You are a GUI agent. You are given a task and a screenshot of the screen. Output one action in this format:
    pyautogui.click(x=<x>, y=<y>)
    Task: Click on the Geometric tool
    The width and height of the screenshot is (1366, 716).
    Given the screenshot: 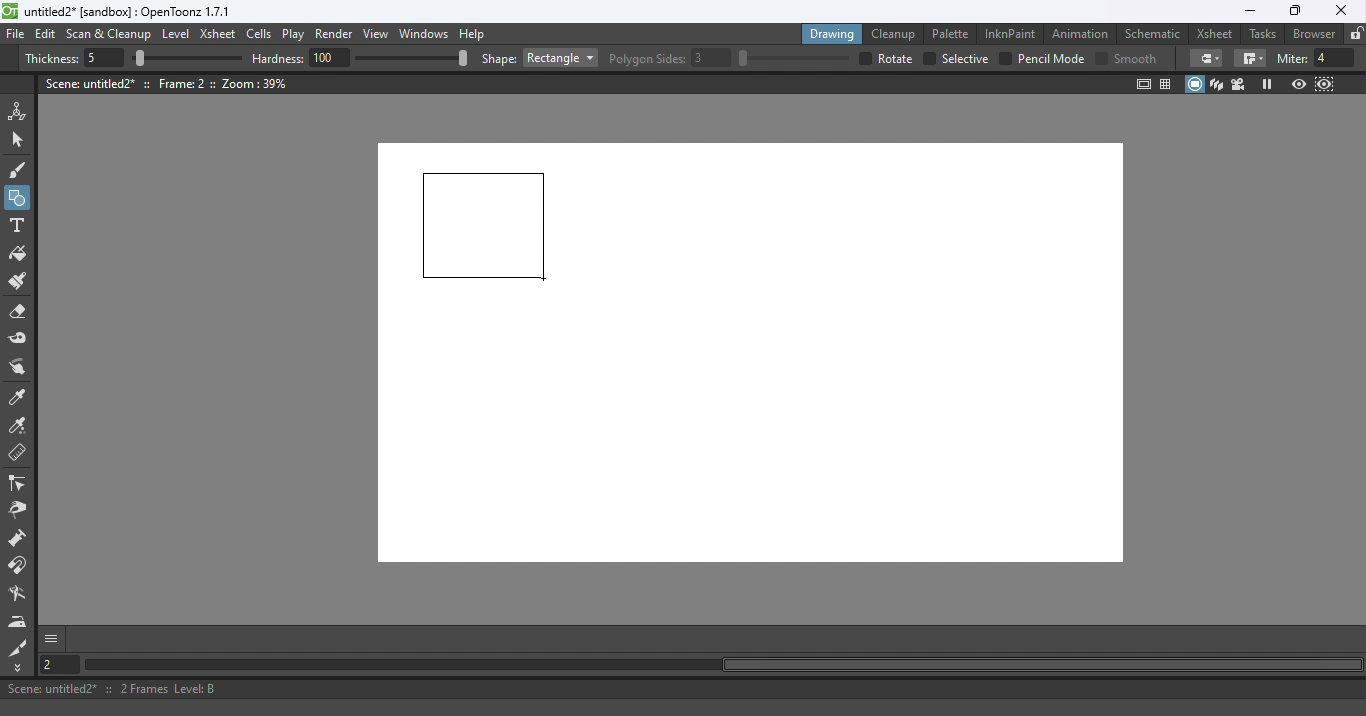 What is the action you would take?
    pyautogui.click(x=19, y=198)
    